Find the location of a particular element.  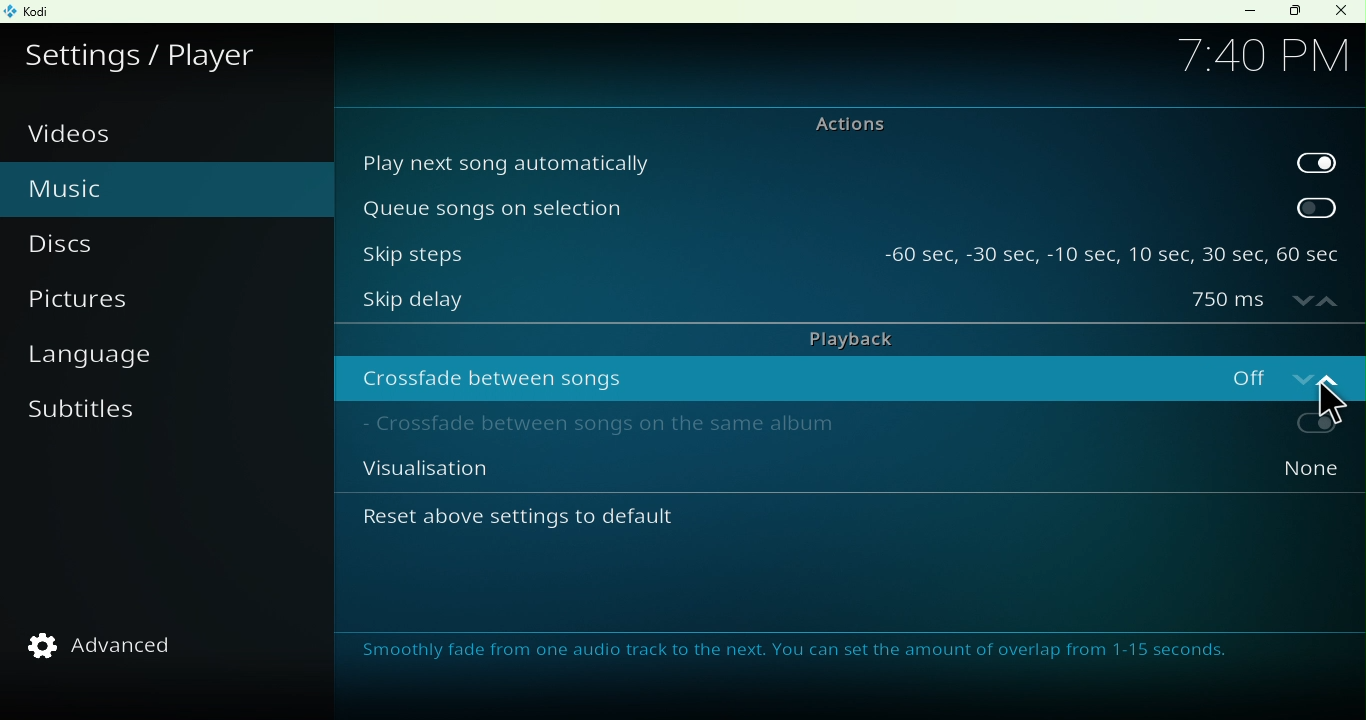

750ms is located at coordinates (1265, 302).